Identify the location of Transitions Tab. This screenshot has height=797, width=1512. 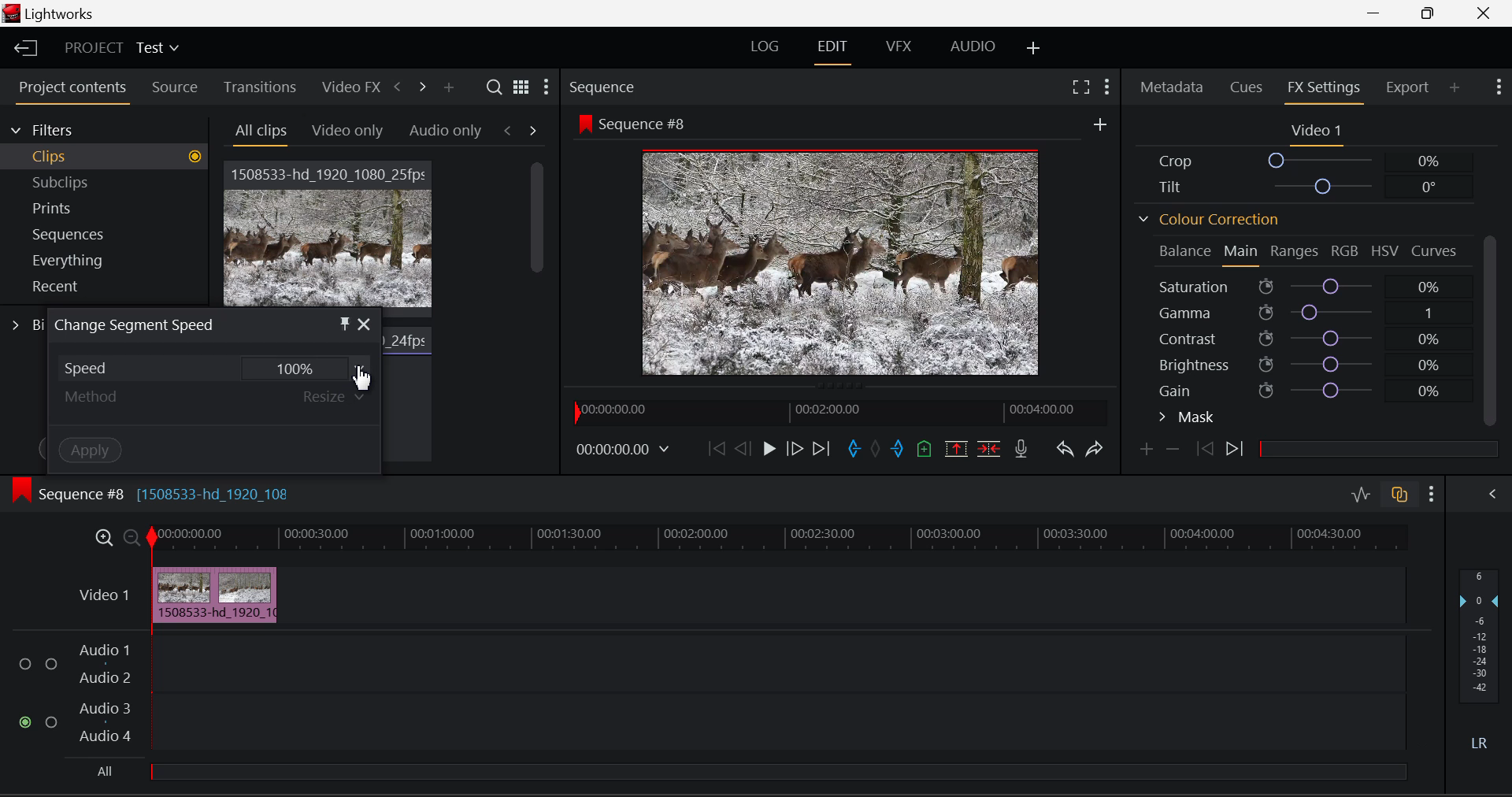
(262, 87).